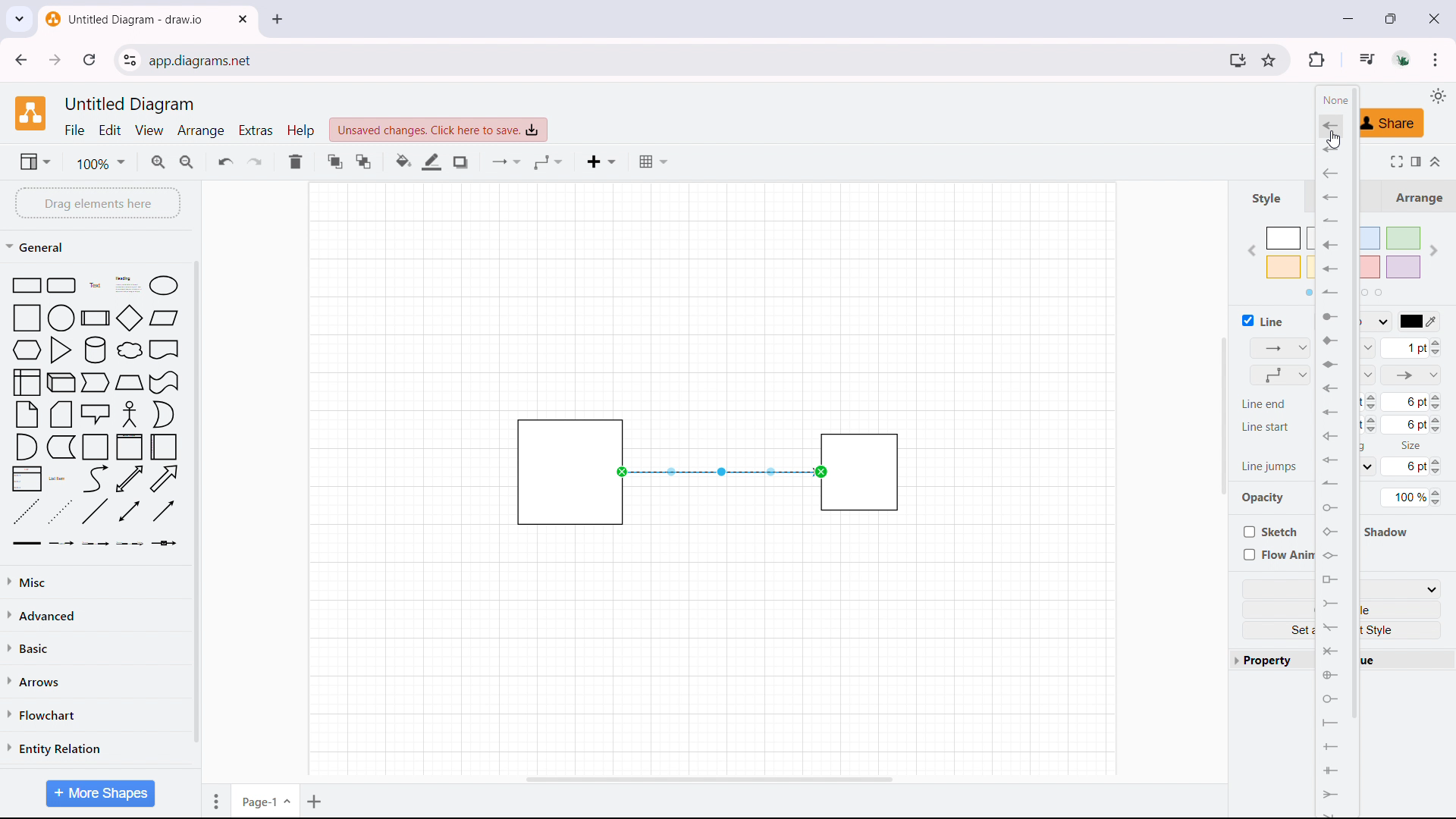 This screenshot has width=1456, height=819. What do you see at coordinates (548, 162) in the screenshot?
I see `waypoints` at bounding box center [548, 162].